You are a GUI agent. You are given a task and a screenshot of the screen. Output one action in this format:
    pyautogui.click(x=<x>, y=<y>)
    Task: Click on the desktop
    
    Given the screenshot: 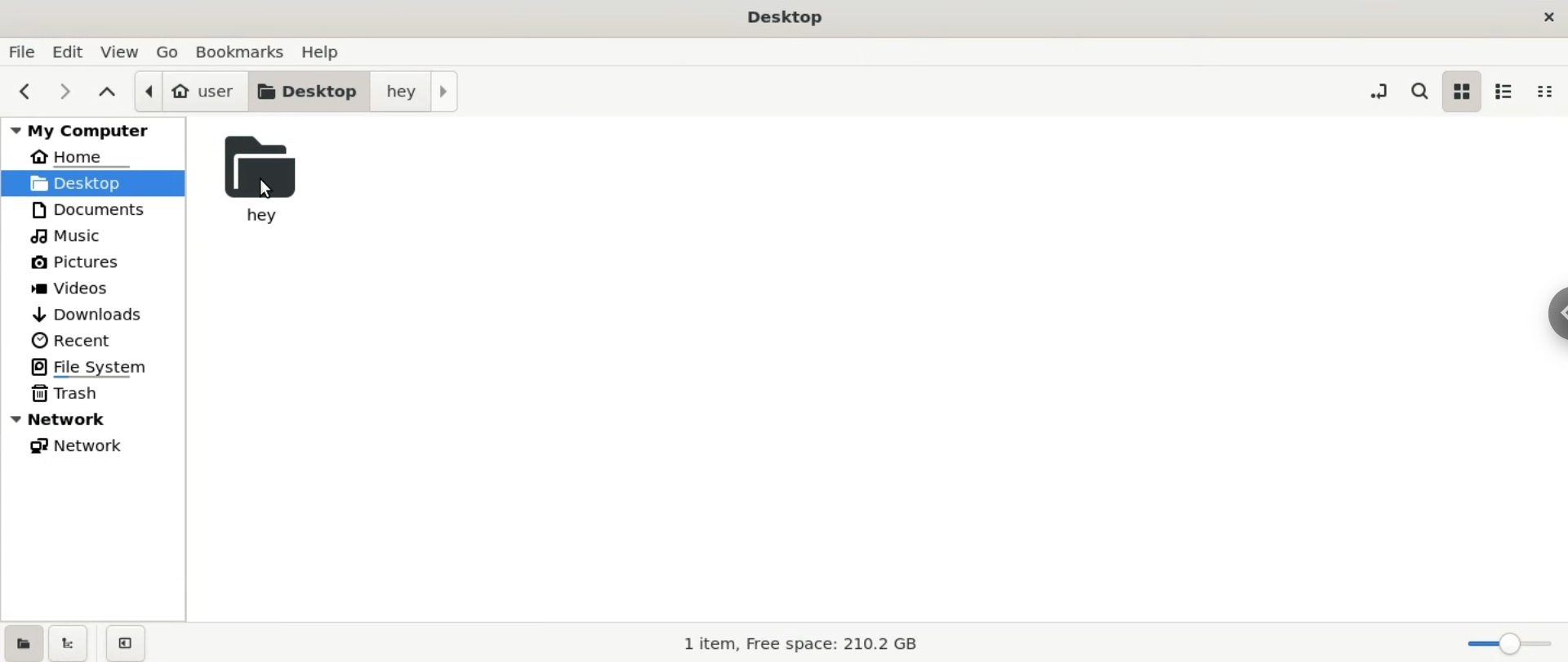 What is the action you would take?
    pyautogui.click(x=791, y=17)
    